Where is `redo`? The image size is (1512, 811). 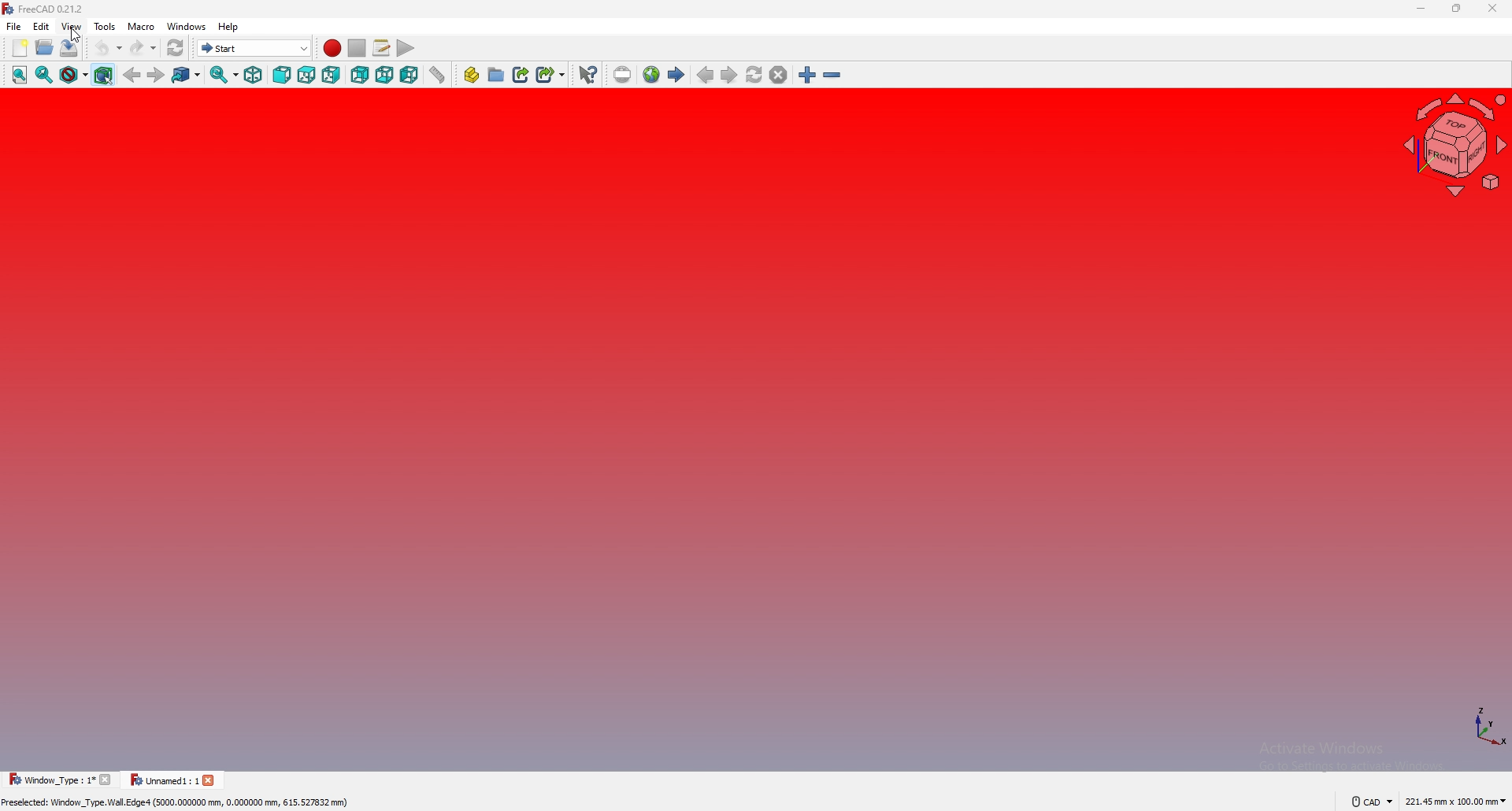 redo is located at coordinates (144, 47).